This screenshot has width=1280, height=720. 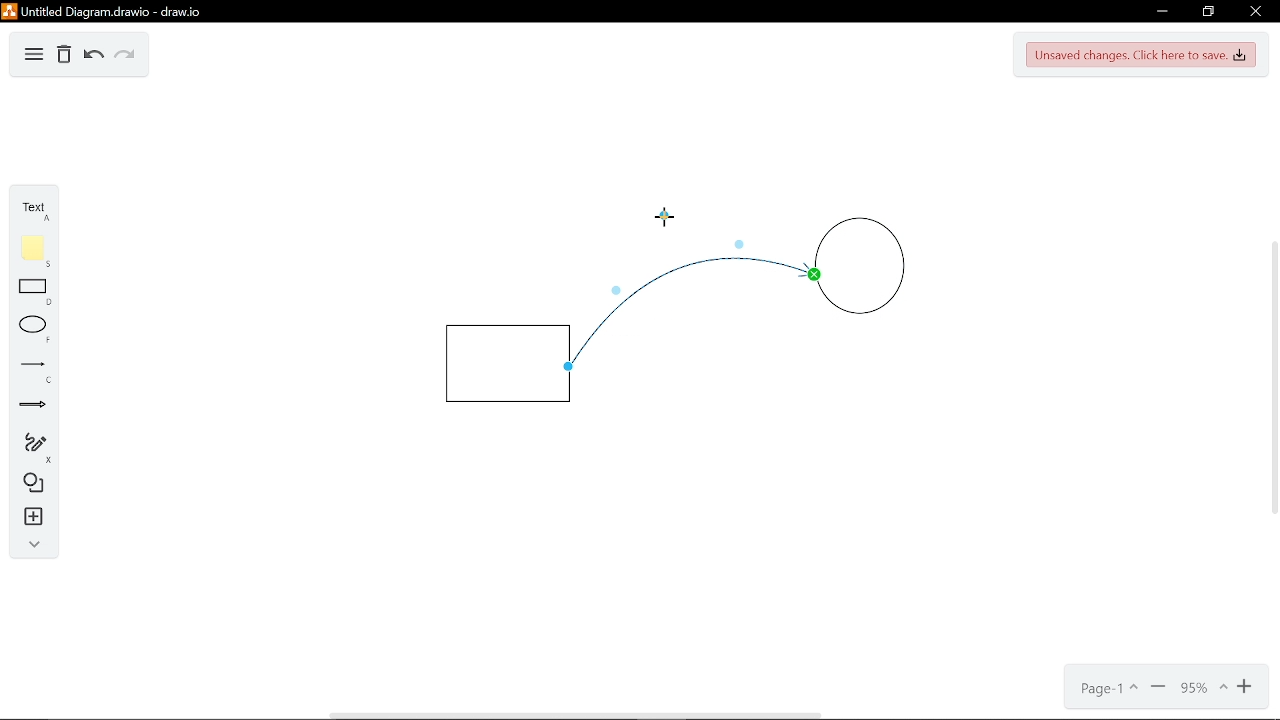 What do you see at coordinates (30, 251) in the screenshot?
I see `Flote` at bounding box center [30, 251].